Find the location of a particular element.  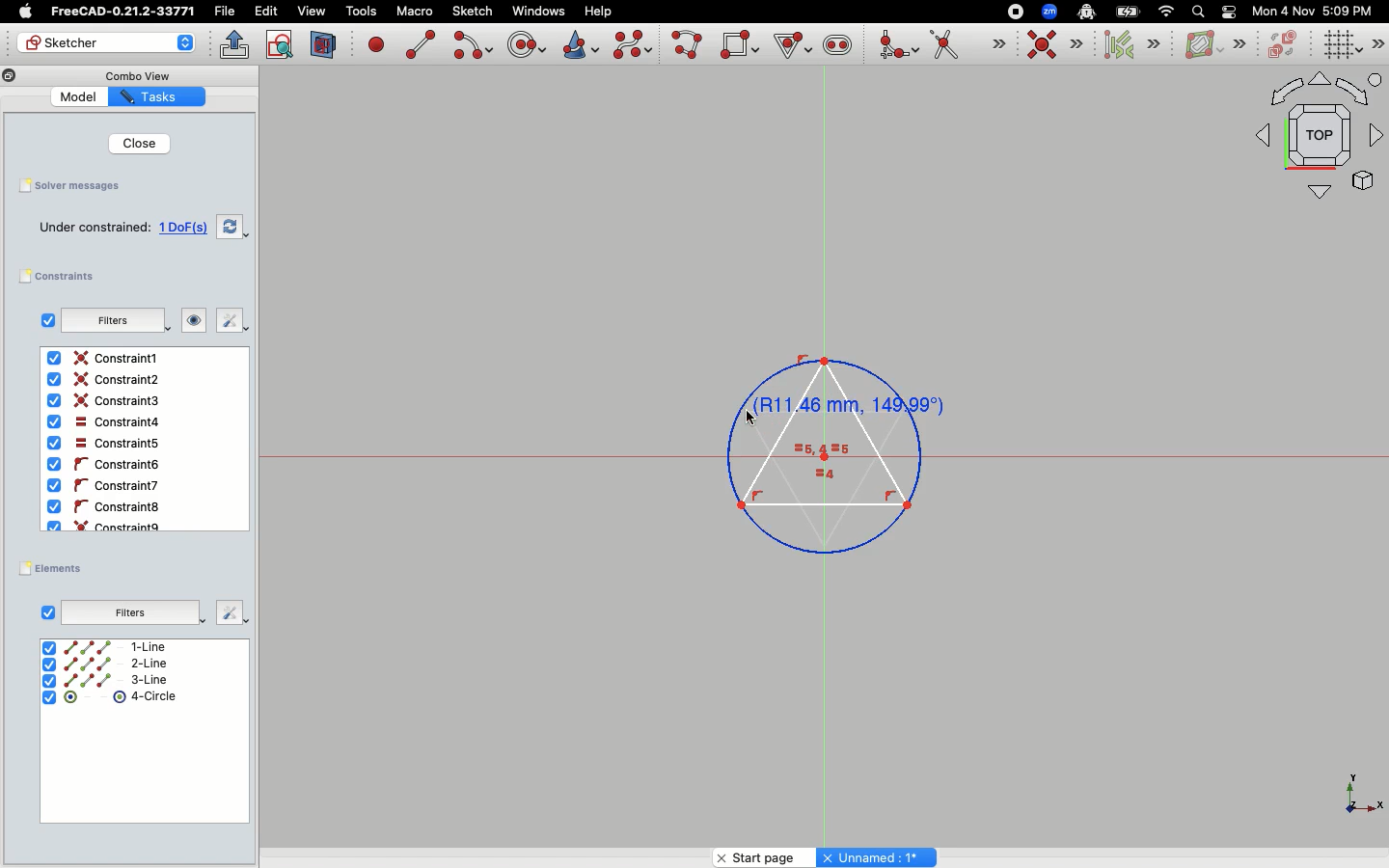

Look is located at coordinates (194, 322).